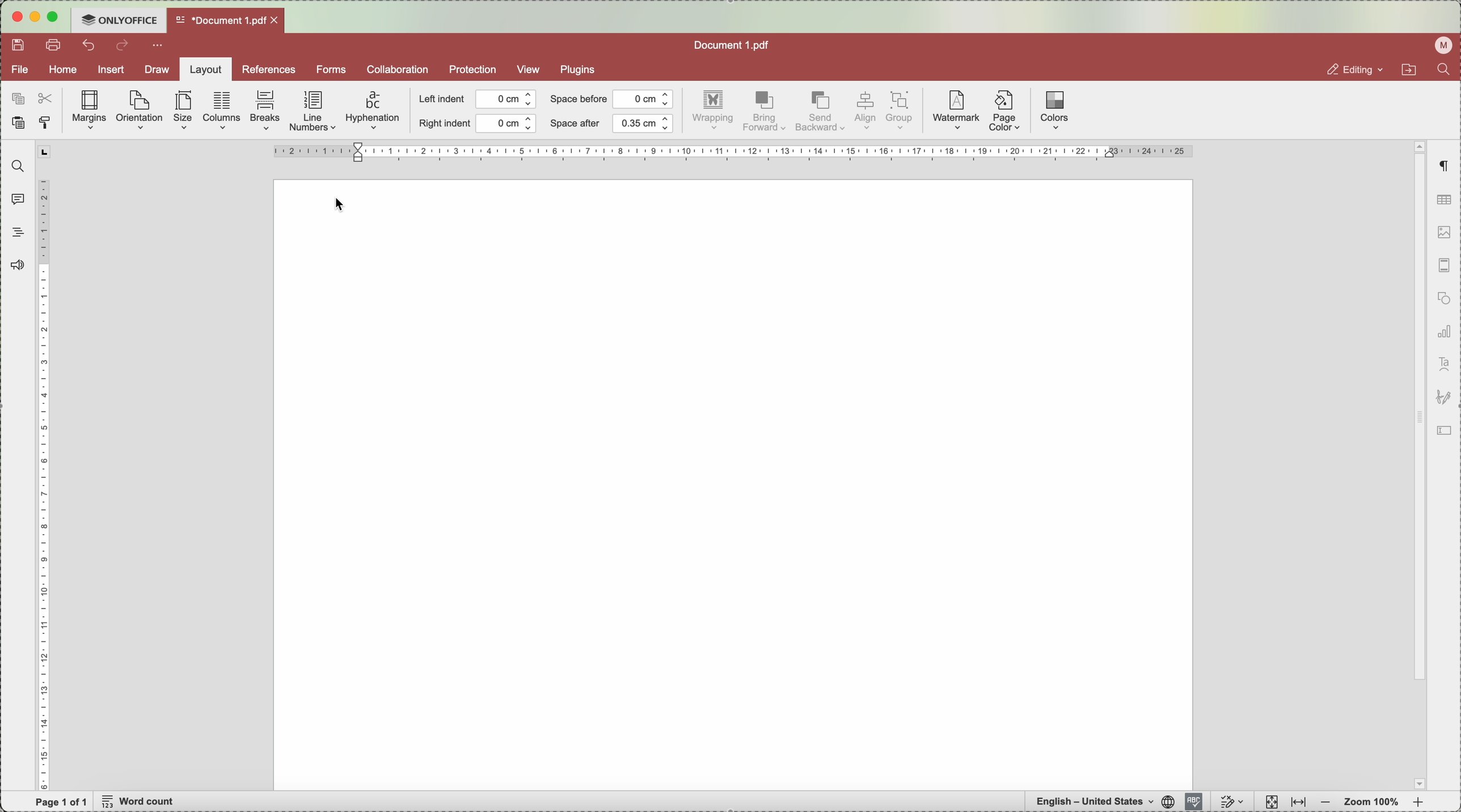 The height and width of the screenshot is (812, 1461). I want to click on Only office, so click(119, 19).